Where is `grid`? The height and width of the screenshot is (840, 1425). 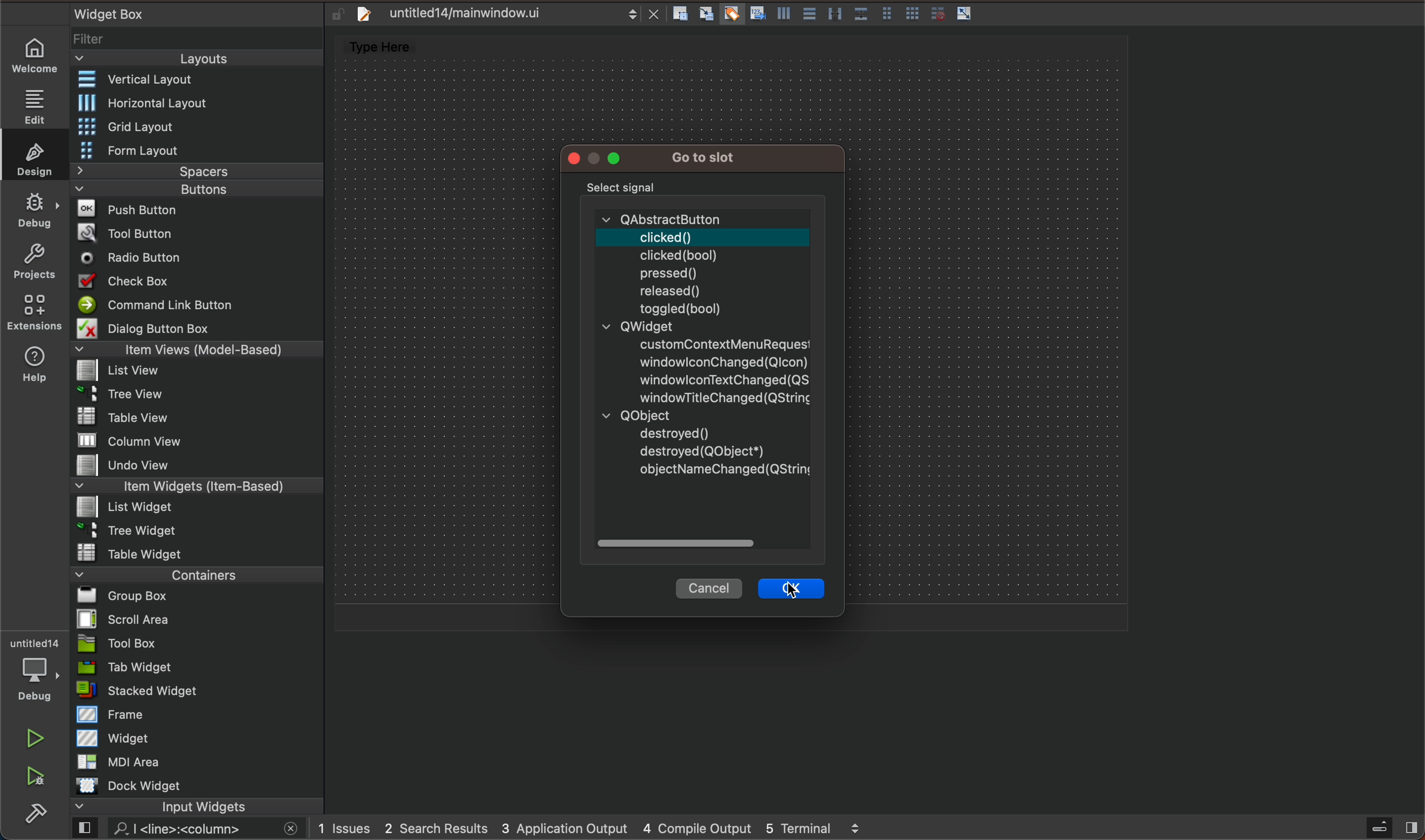
grid is located at coordinates (198, 127).